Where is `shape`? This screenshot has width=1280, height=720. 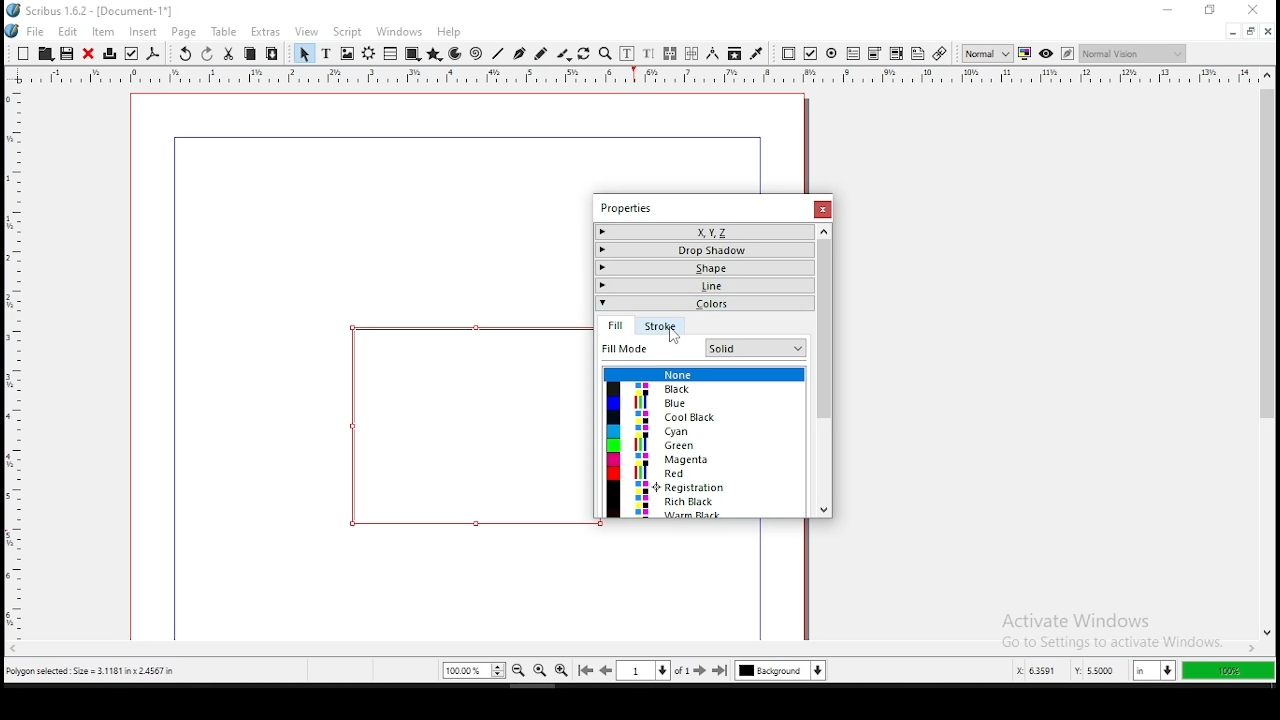 shape is located at coordinates (701, 267).